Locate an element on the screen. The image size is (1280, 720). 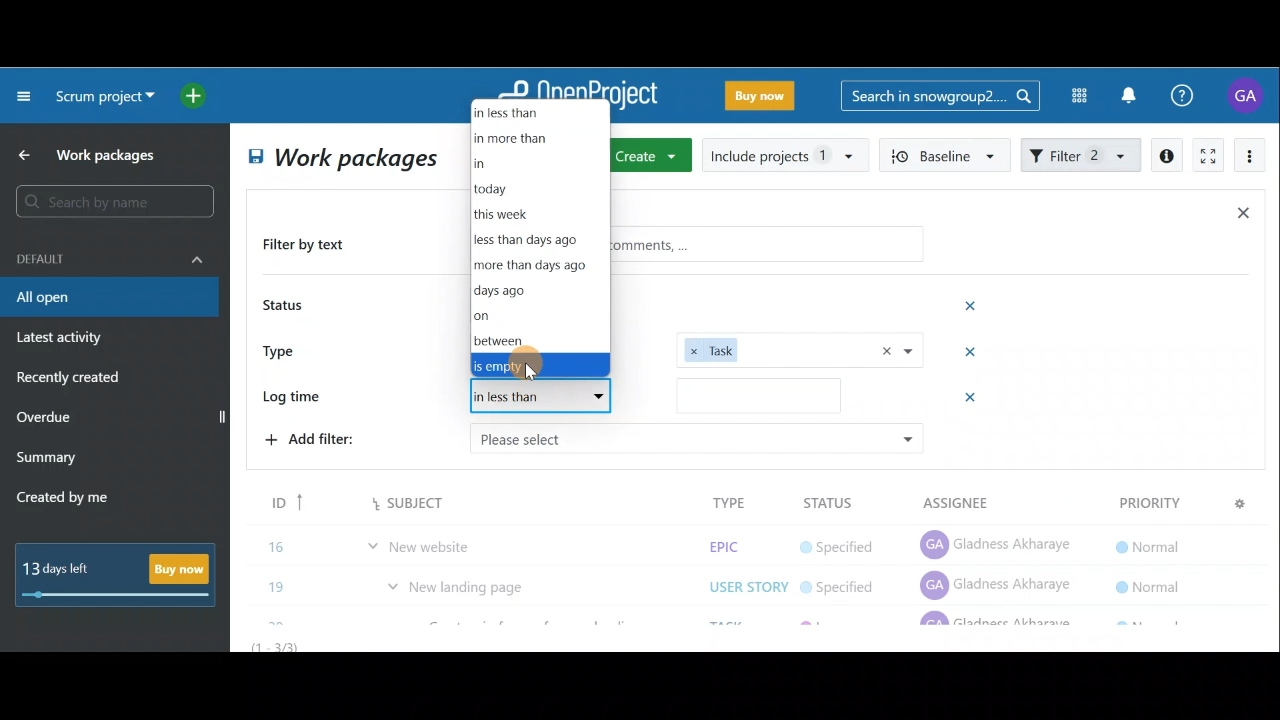
Status is located at coordinates (286, 307).